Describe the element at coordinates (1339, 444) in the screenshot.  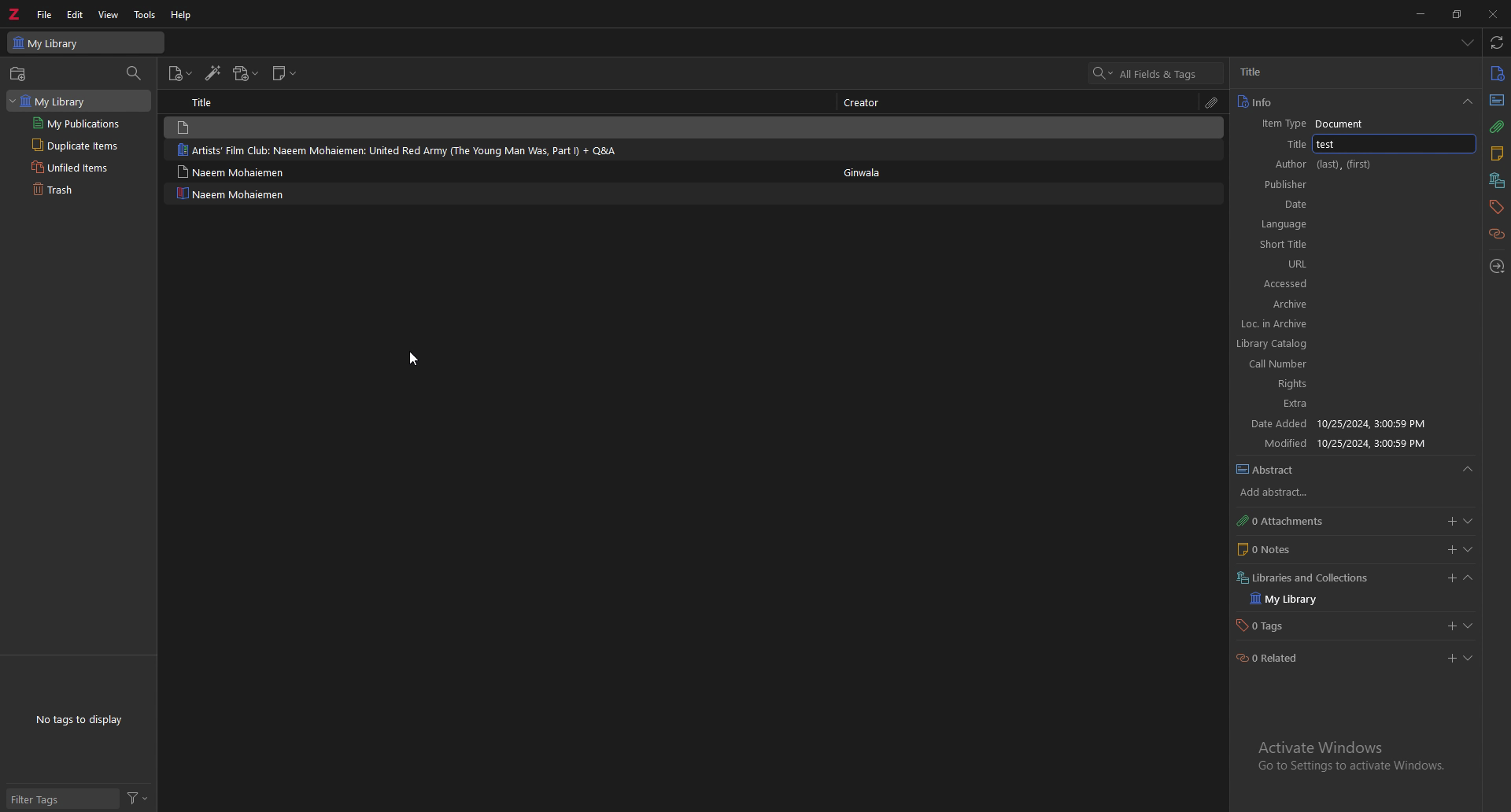
I see `accessed` at that location.